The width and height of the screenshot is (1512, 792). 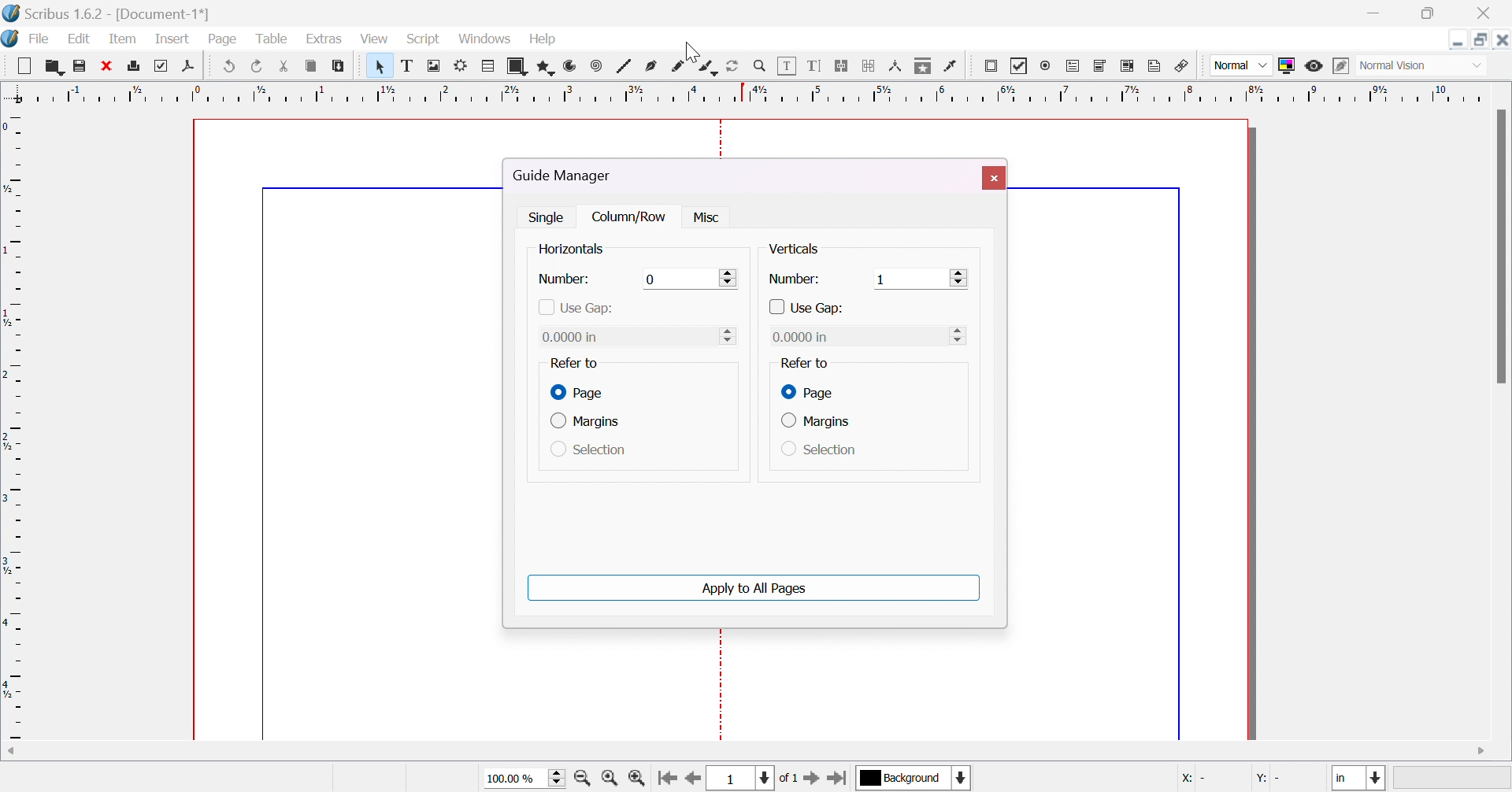 What do you see at coordinates (817, 65) in the screenshot?
I see `edit text with story editor` at bounding box center [817, 65].